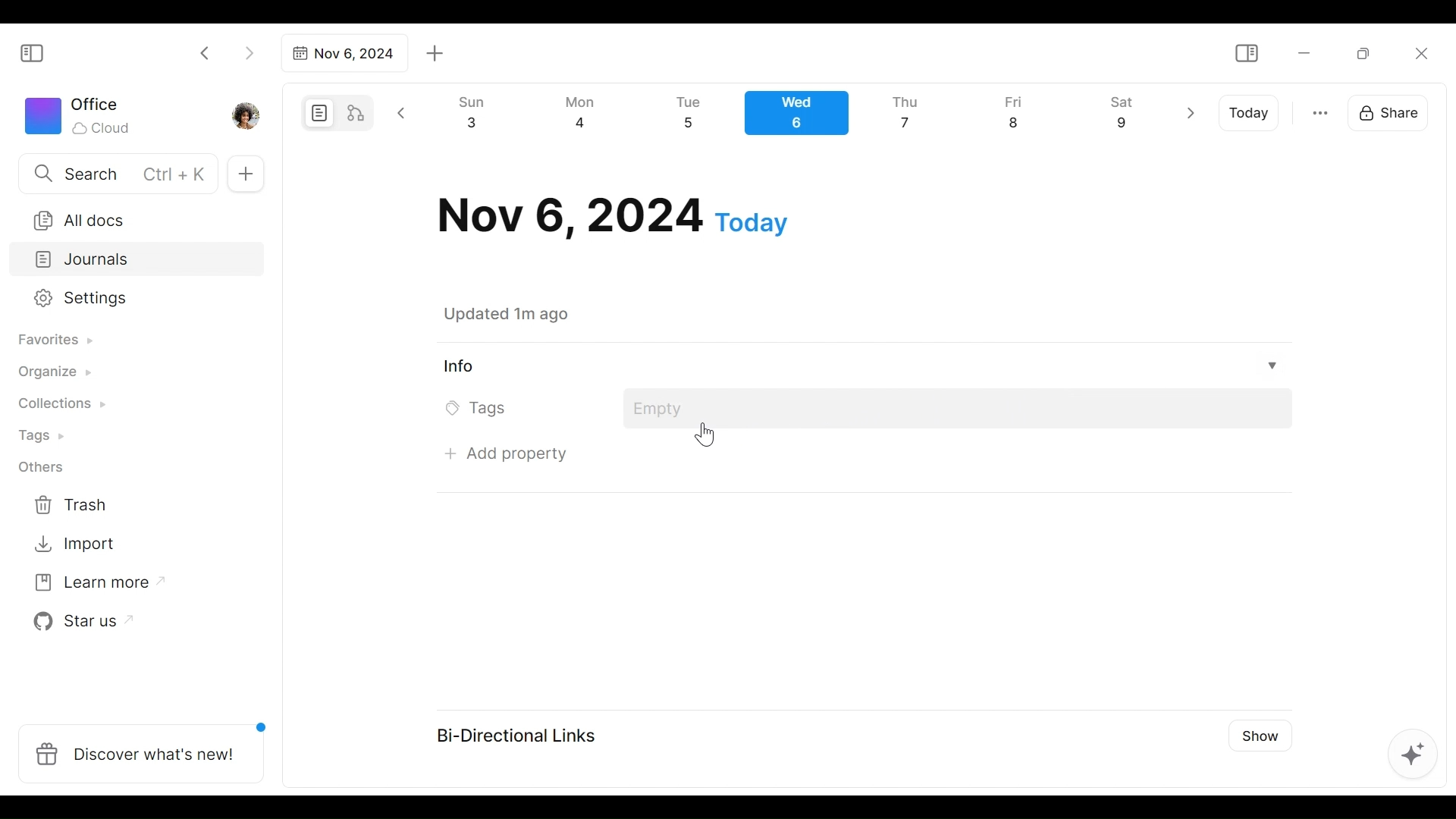 Image resolution: width=1456 pixels, height=819 pixels. I want to click on Calendar, so click(803, 117).